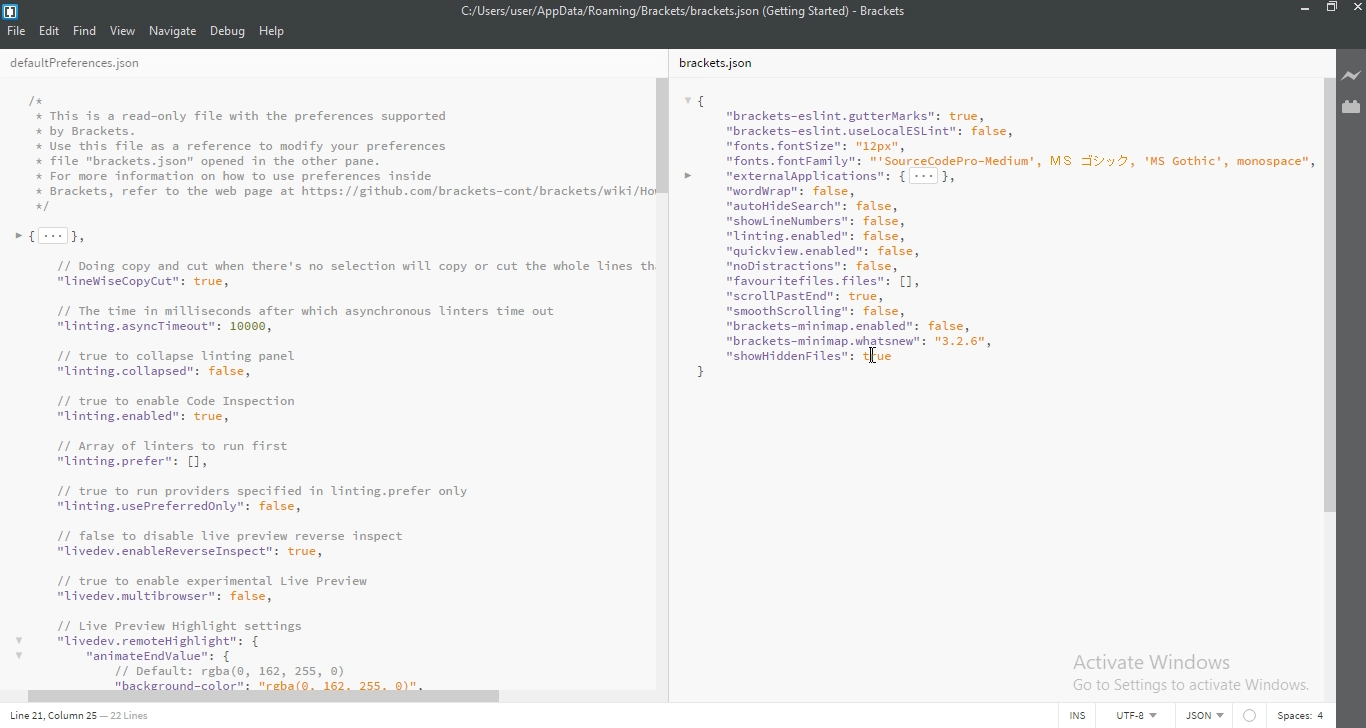 This screenshot has height=728, width=1366. Describe the element at coordinates (1207, 716) in the screenshot. I see `text` at that location.